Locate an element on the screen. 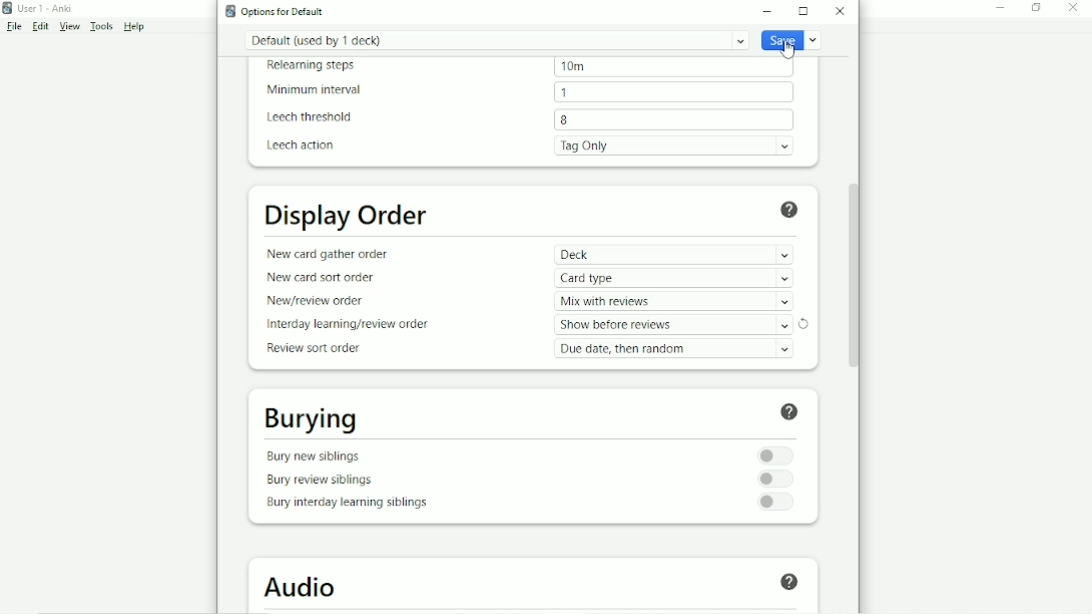 This screenshot has height=614, width=1092. Minimize is located at coordinates (768, 11).